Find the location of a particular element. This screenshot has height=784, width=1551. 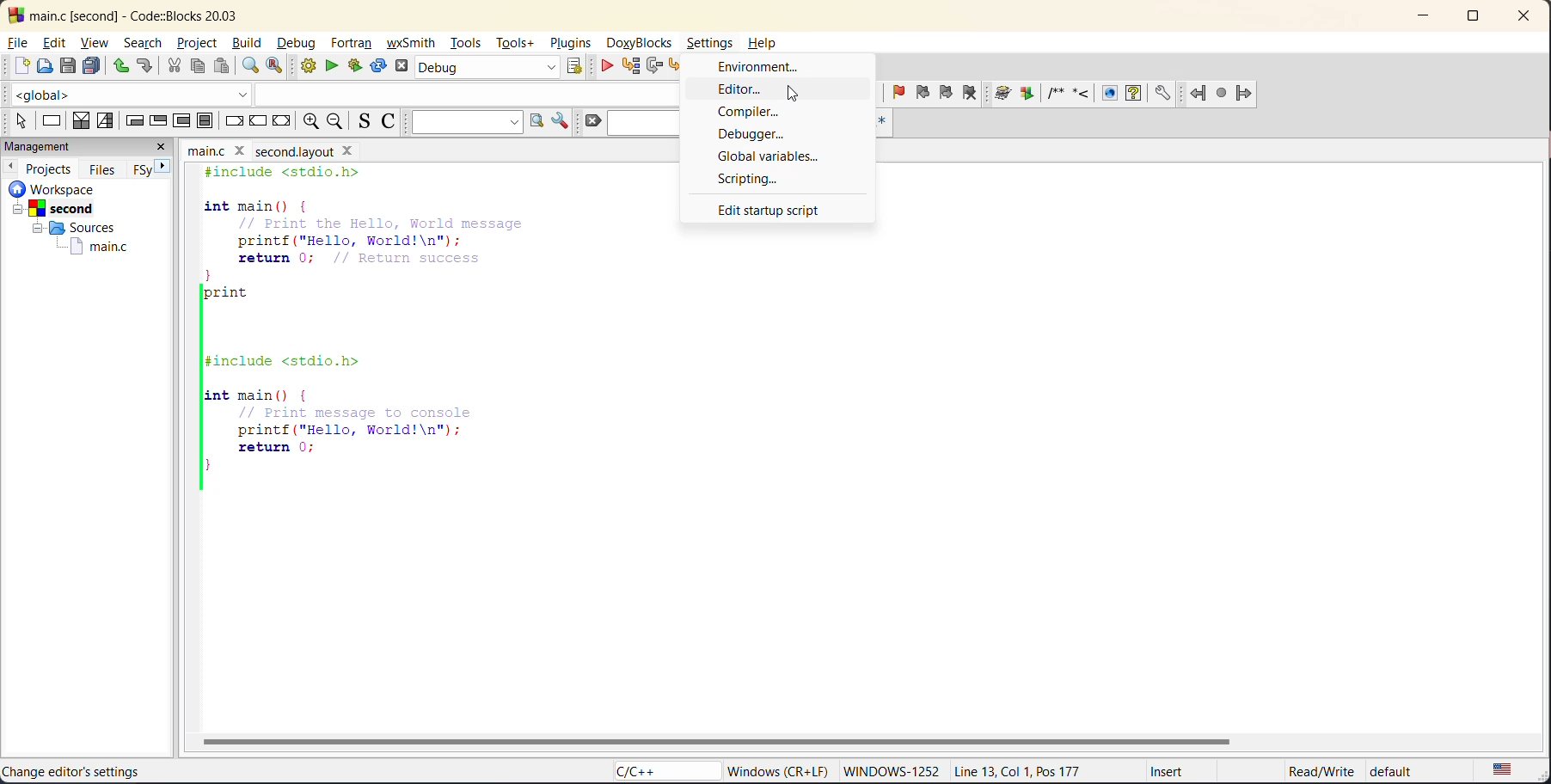

close is located at coordinates (1518, 19).